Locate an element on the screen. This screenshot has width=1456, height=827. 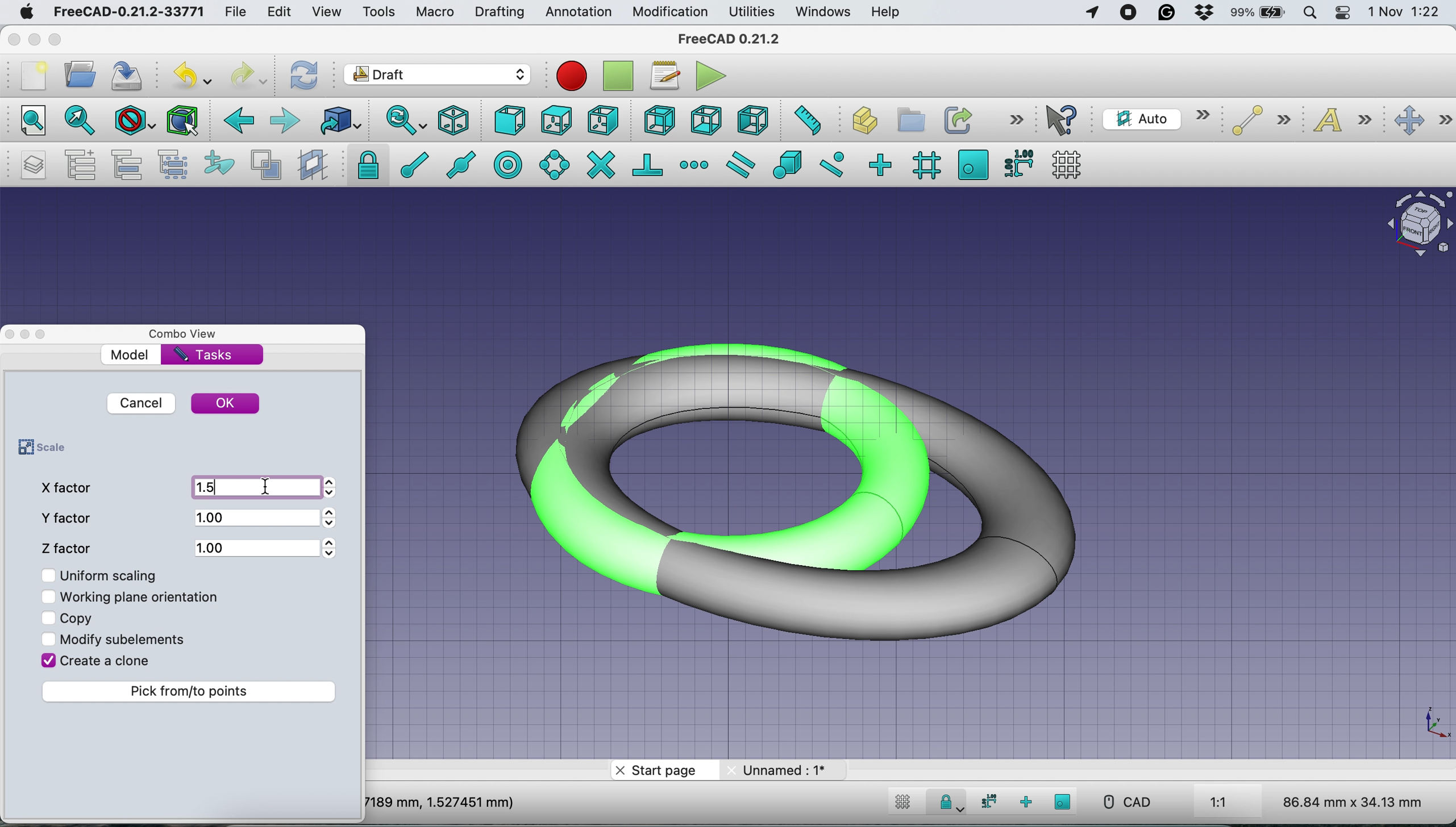
Apps Using Location is located at coordinates (1092, 14).